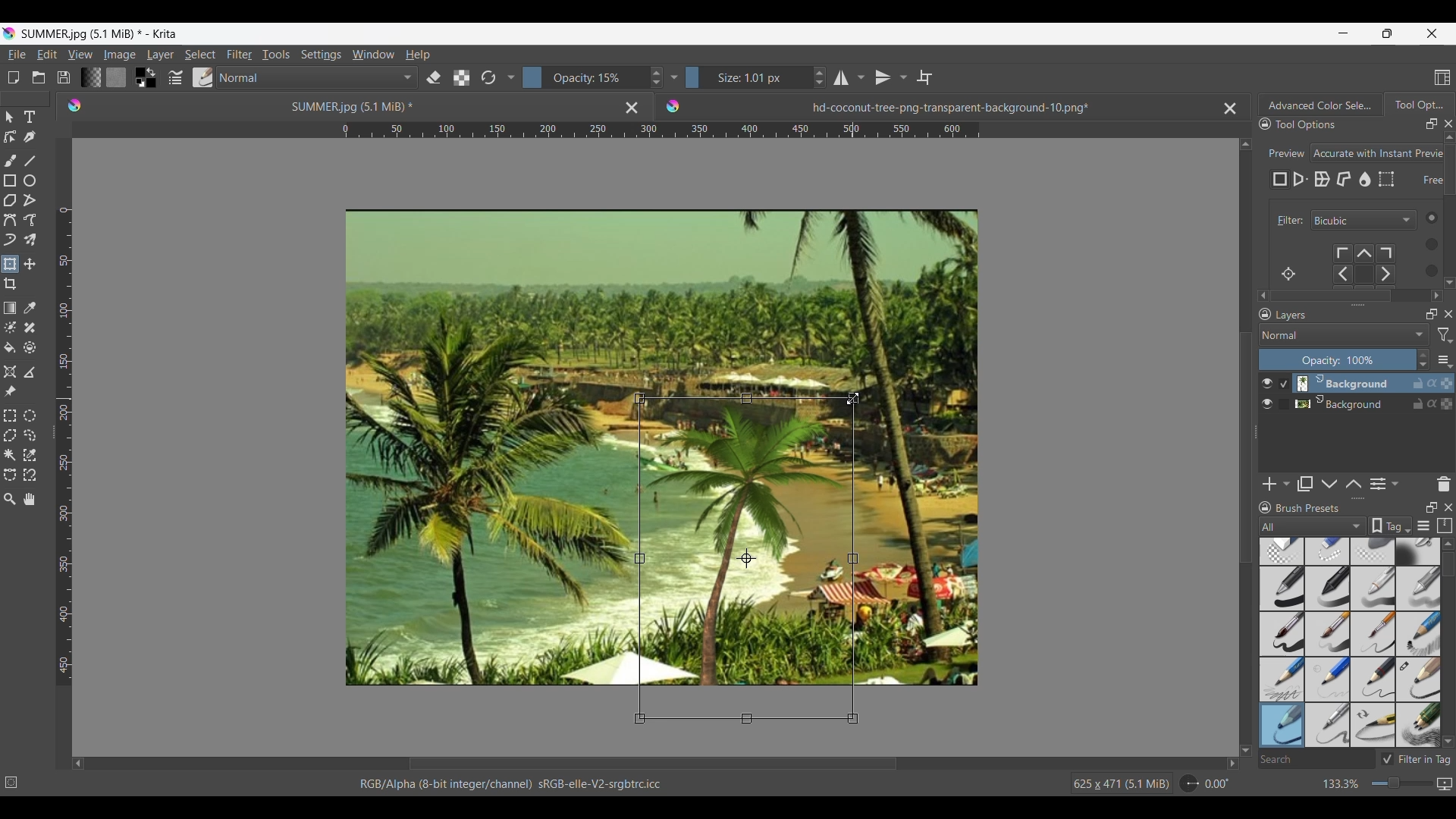 The height and width of the screenshot is (819, 1456). Describe the element at coordinates (1341, 383) in the screenshot. I see `Selected layer` at that location.